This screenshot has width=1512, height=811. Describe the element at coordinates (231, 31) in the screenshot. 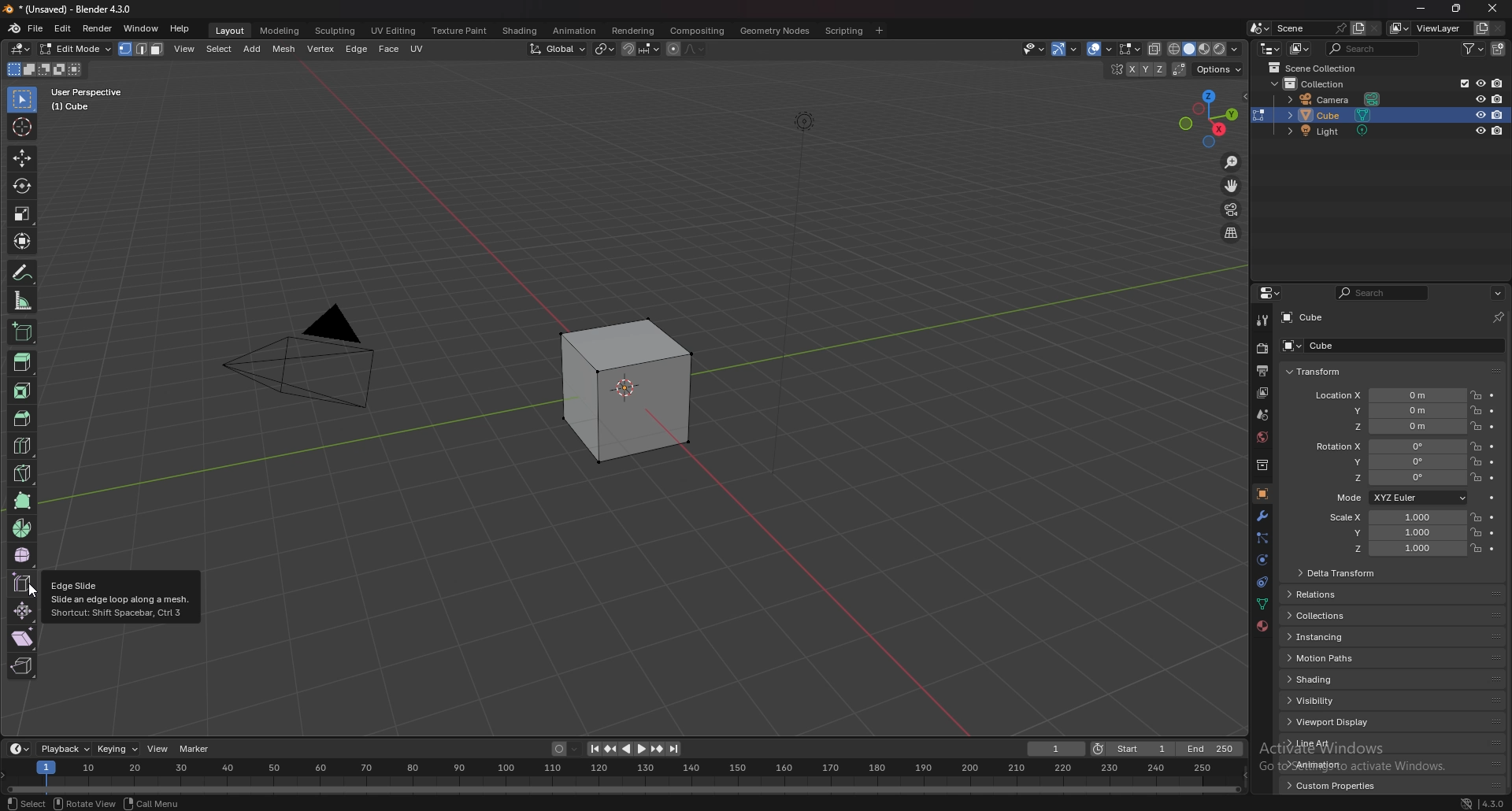

I see `layout` at that location.